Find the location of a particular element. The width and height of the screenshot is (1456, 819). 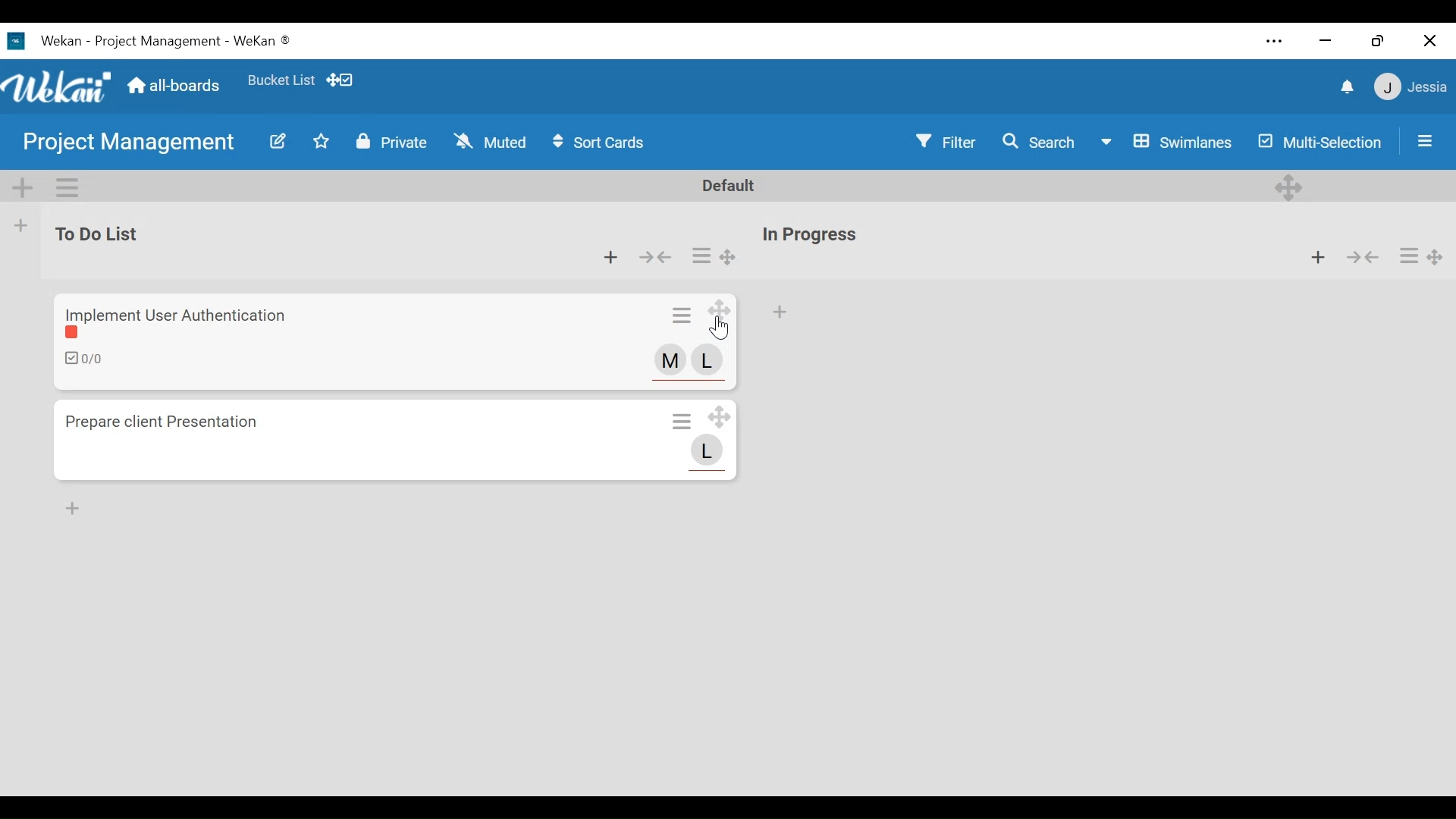

Swimlane actions is located at coordinates (66, 187).